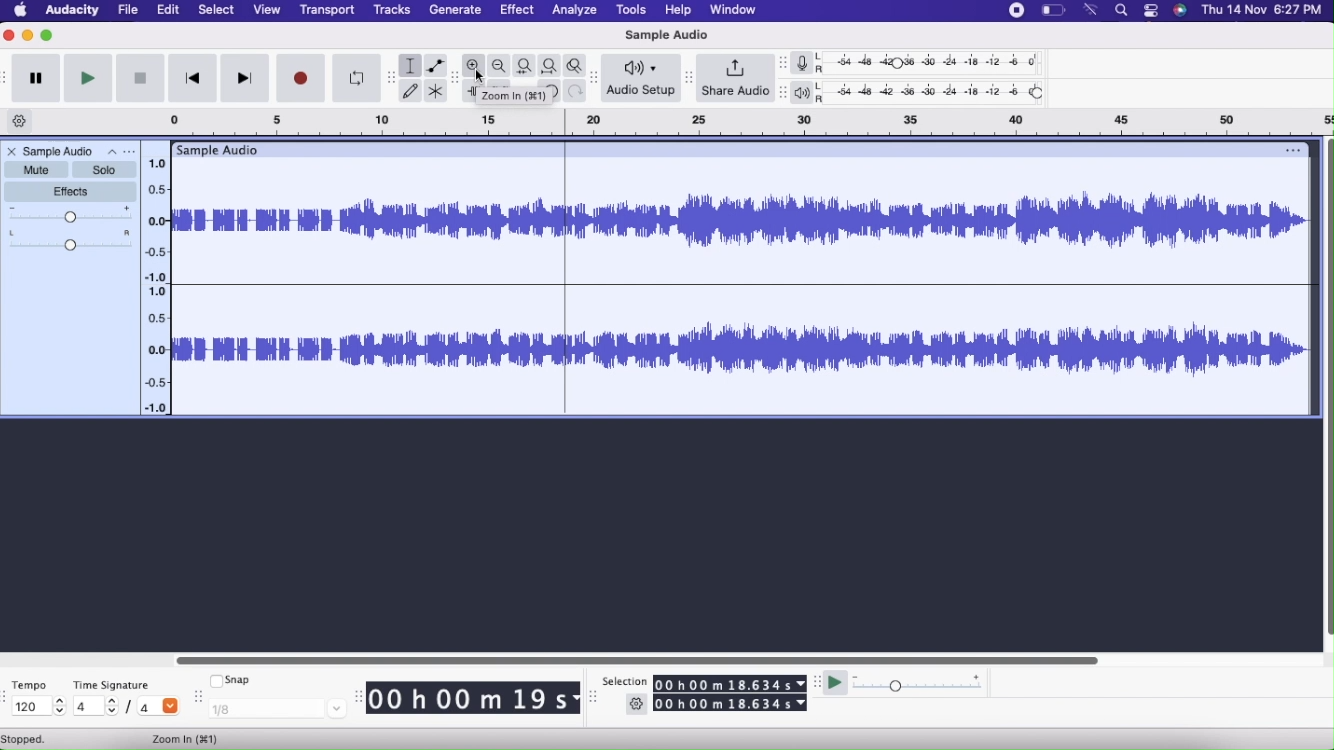 The height and width of the screenshot is (750, 1334). Describe the element at coordinates (120, 151) in the screenshot. I see `Options` at that location.